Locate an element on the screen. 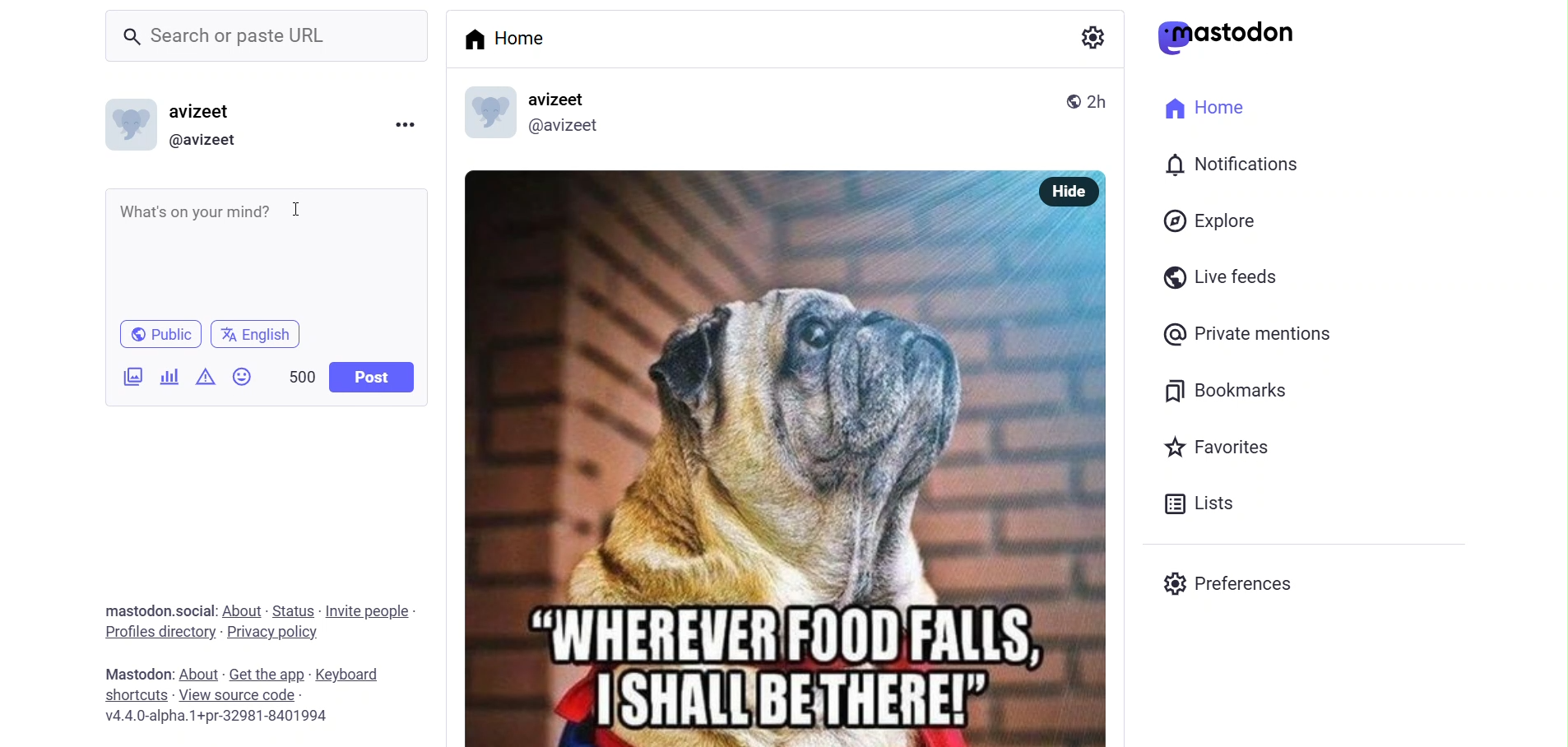 Image resolution: width=1568 pixels, height=747 pixels. explore is located at coordinates (1216, 225).